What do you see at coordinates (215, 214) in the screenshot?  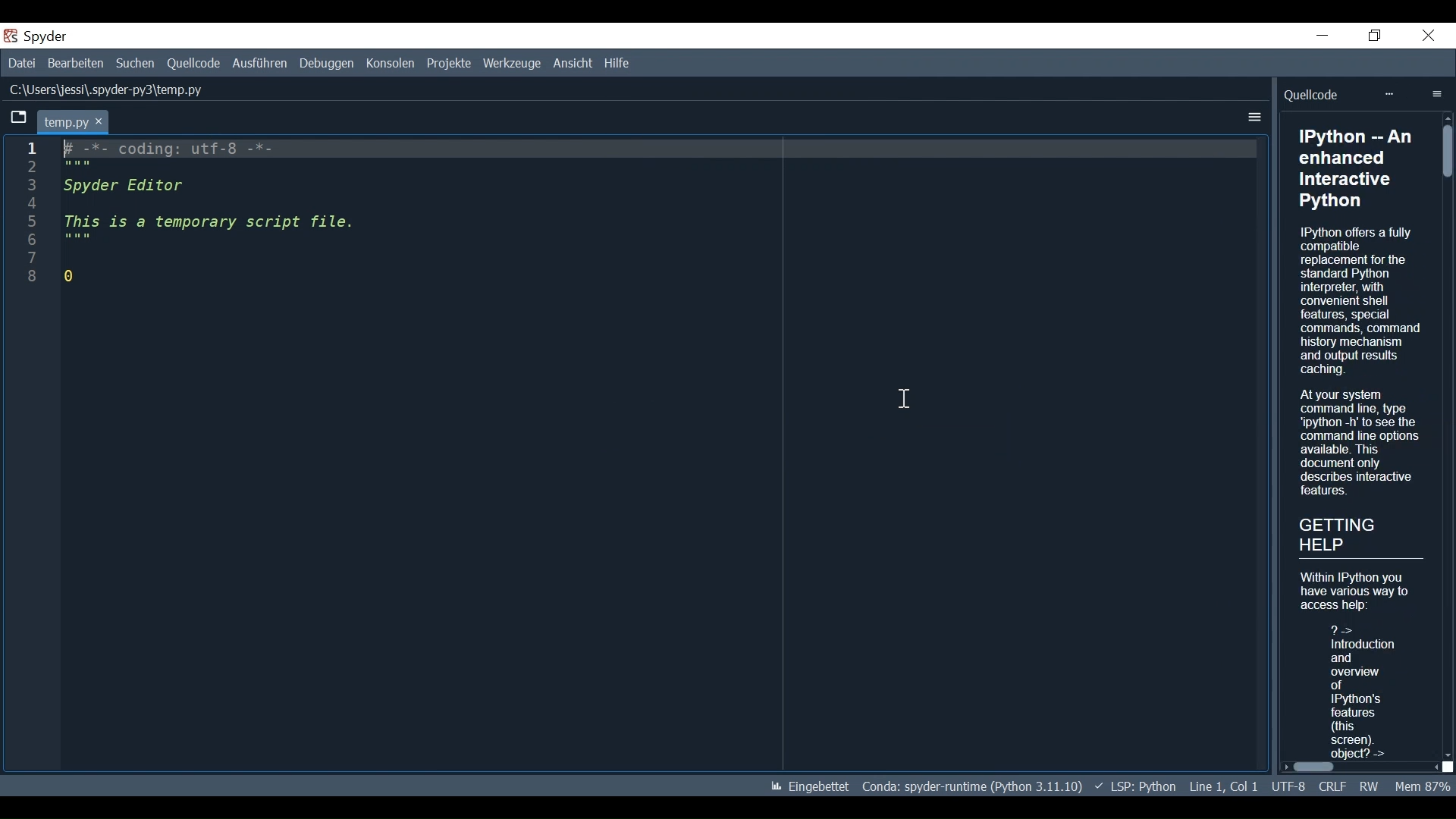 I see `fF -*- coding: utf-8 -*-

Spyder Editor

This is a temporary script file.
0` at bounding box center [215, 214].